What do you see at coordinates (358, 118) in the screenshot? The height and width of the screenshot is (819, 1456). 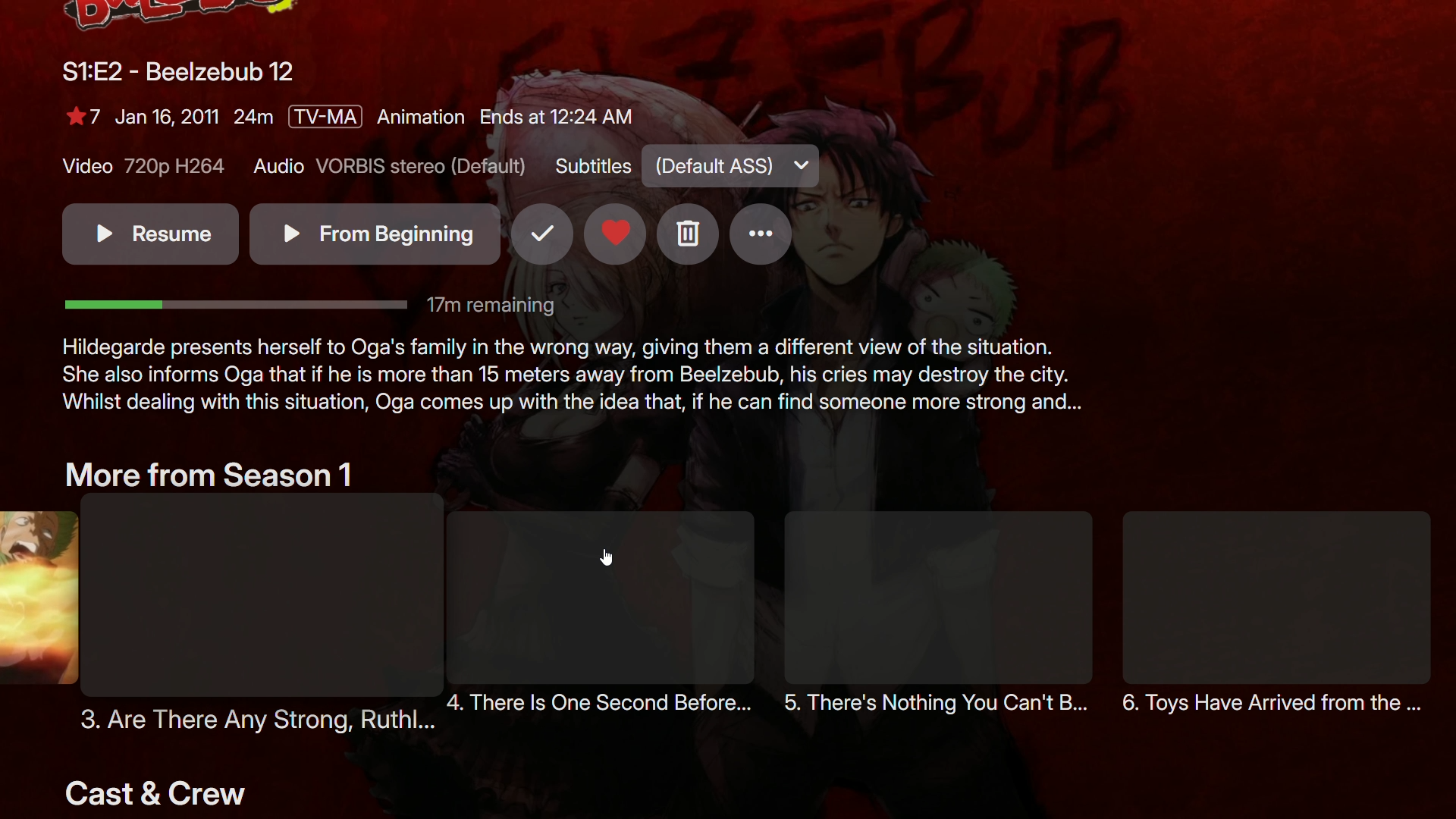 I see `Show details` at bounding box center [358, 118].